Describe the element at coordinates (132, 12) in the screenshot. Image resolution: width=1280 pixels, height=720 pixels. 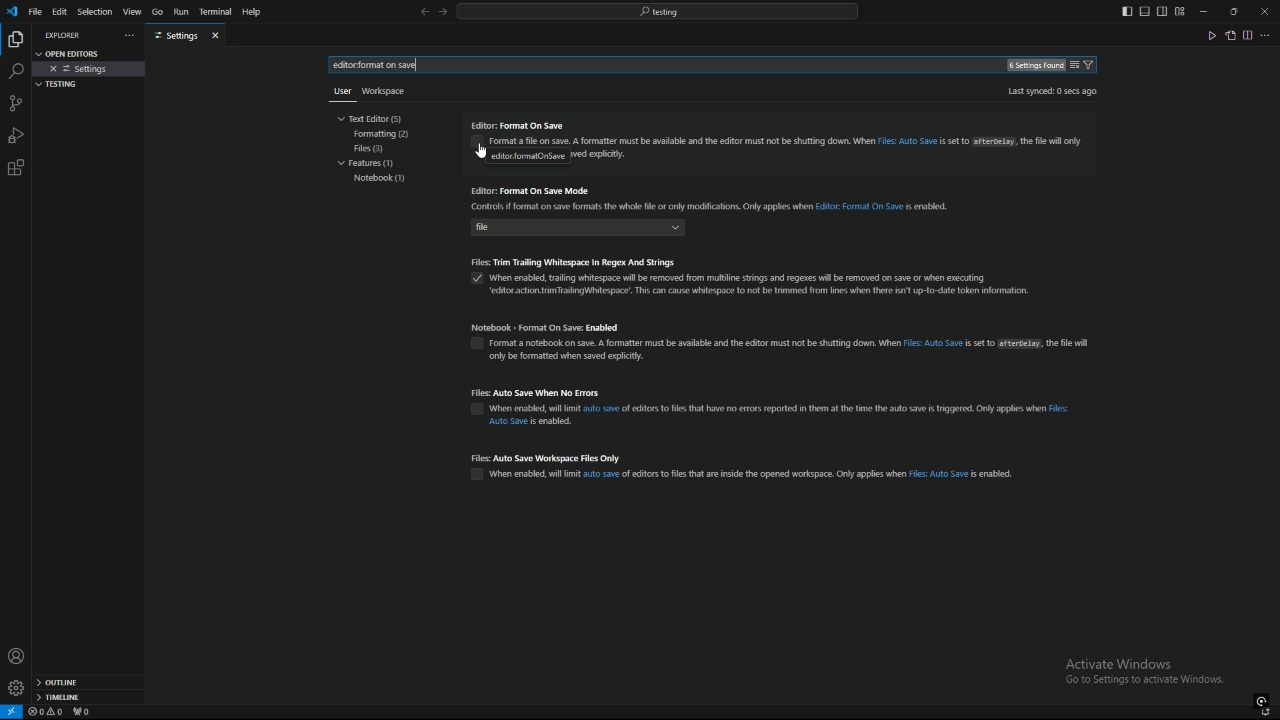
I see `view` at that location.